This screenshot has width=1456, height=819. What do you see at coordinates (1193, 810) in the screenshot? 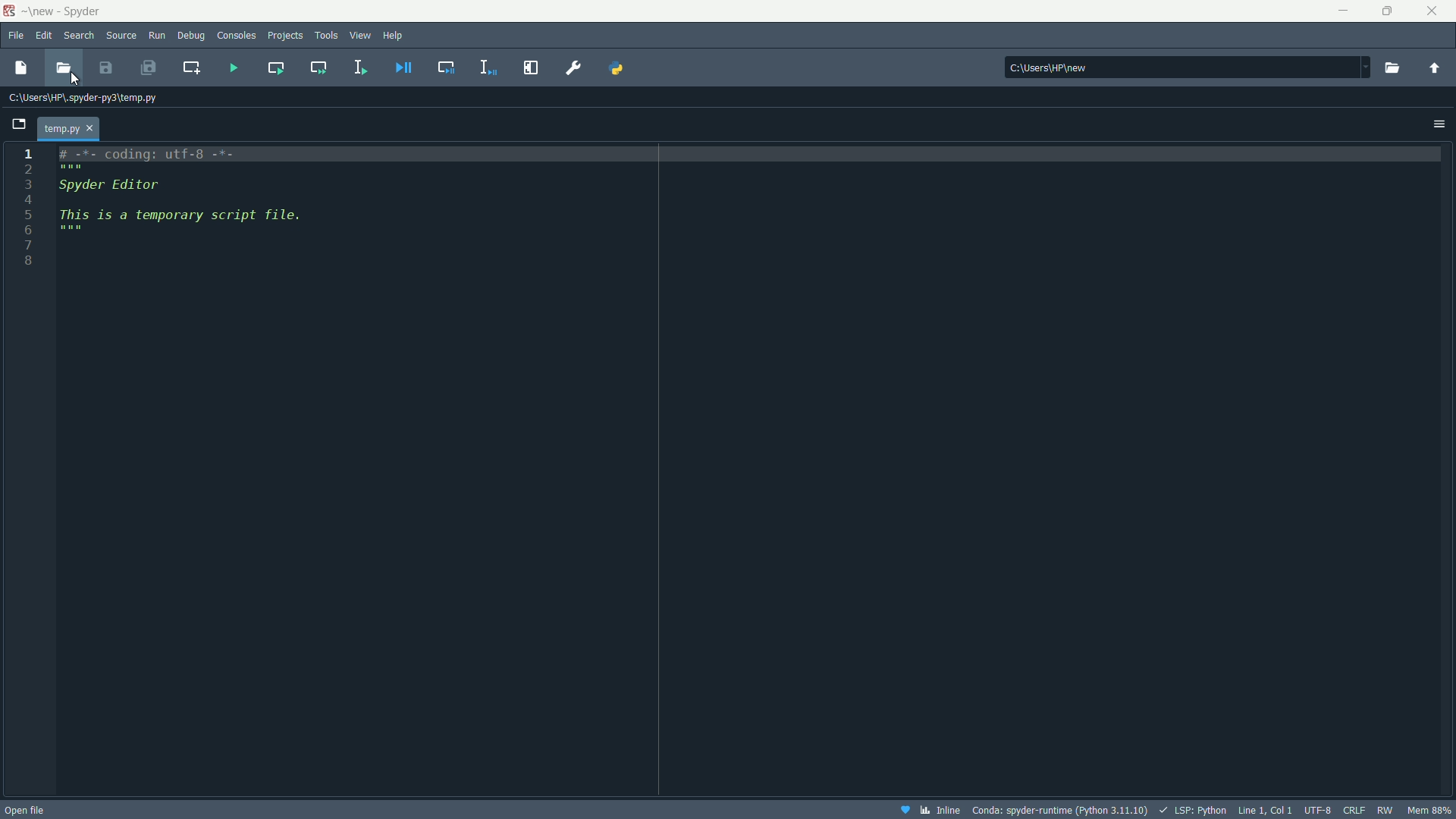
I see `LSP:Python` at bounding box center [1193, 810].